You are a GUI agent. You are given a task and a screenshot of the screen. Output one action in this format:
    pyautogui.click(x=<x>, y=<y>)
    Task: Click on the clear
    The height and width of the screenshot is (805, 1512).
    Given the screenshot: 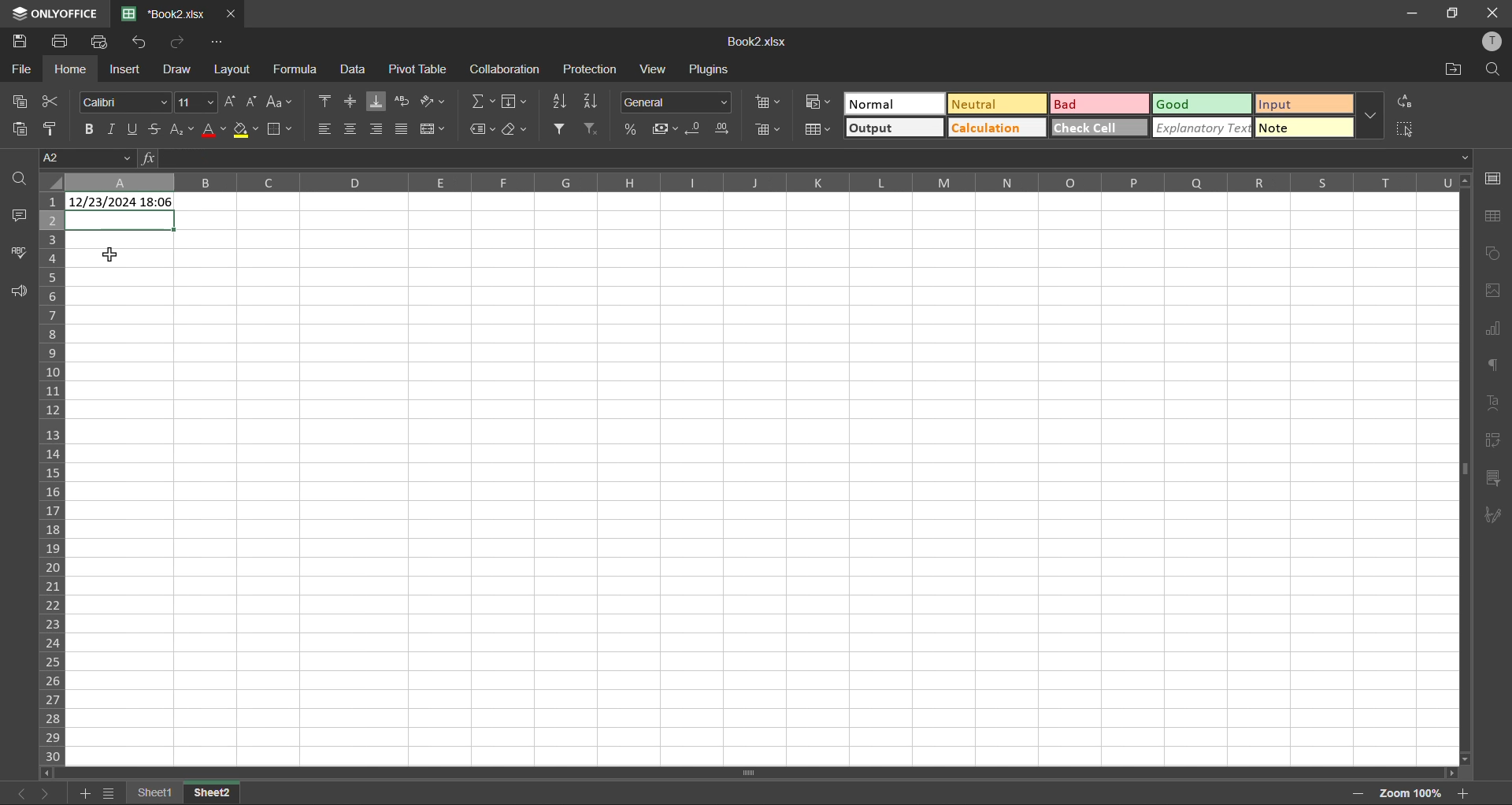 What is the action you would take?
    pyautogui.click(x=518, y=129)
    